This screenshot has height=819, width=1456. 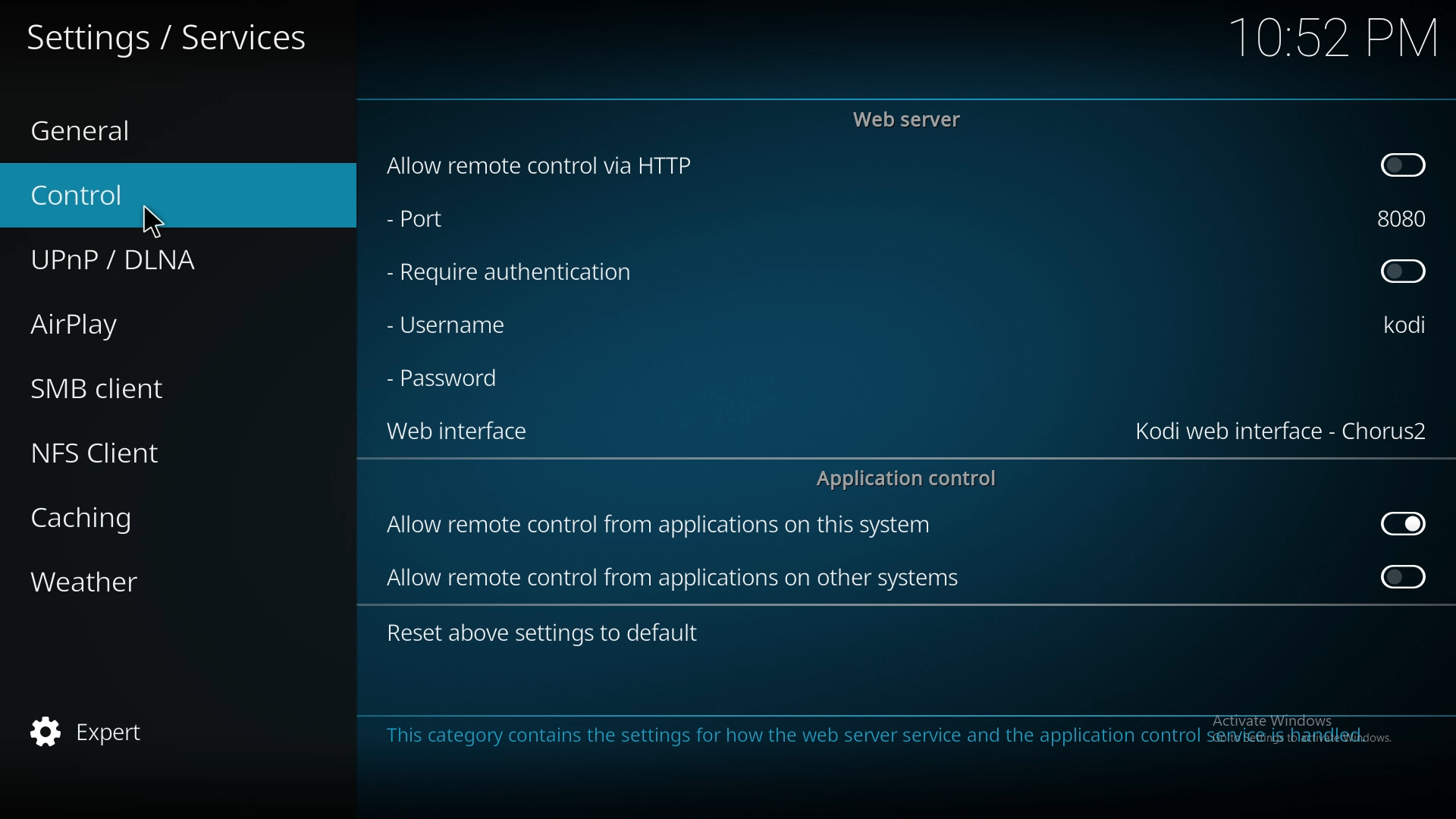 I want to click on web server, so click(x=912, y=119).